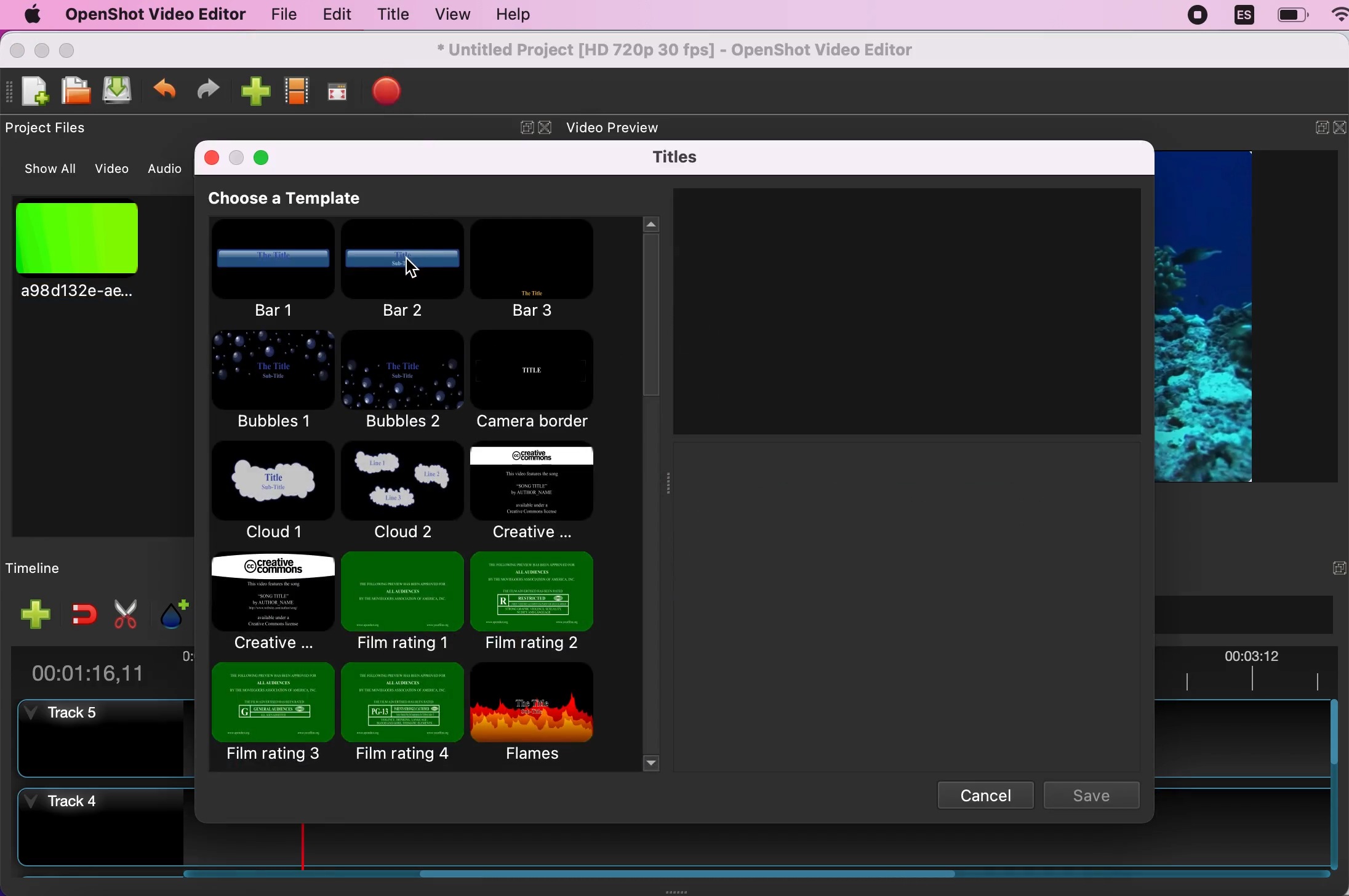 The image size is (1349, 896). I want to click on titles, so click(674, 156).